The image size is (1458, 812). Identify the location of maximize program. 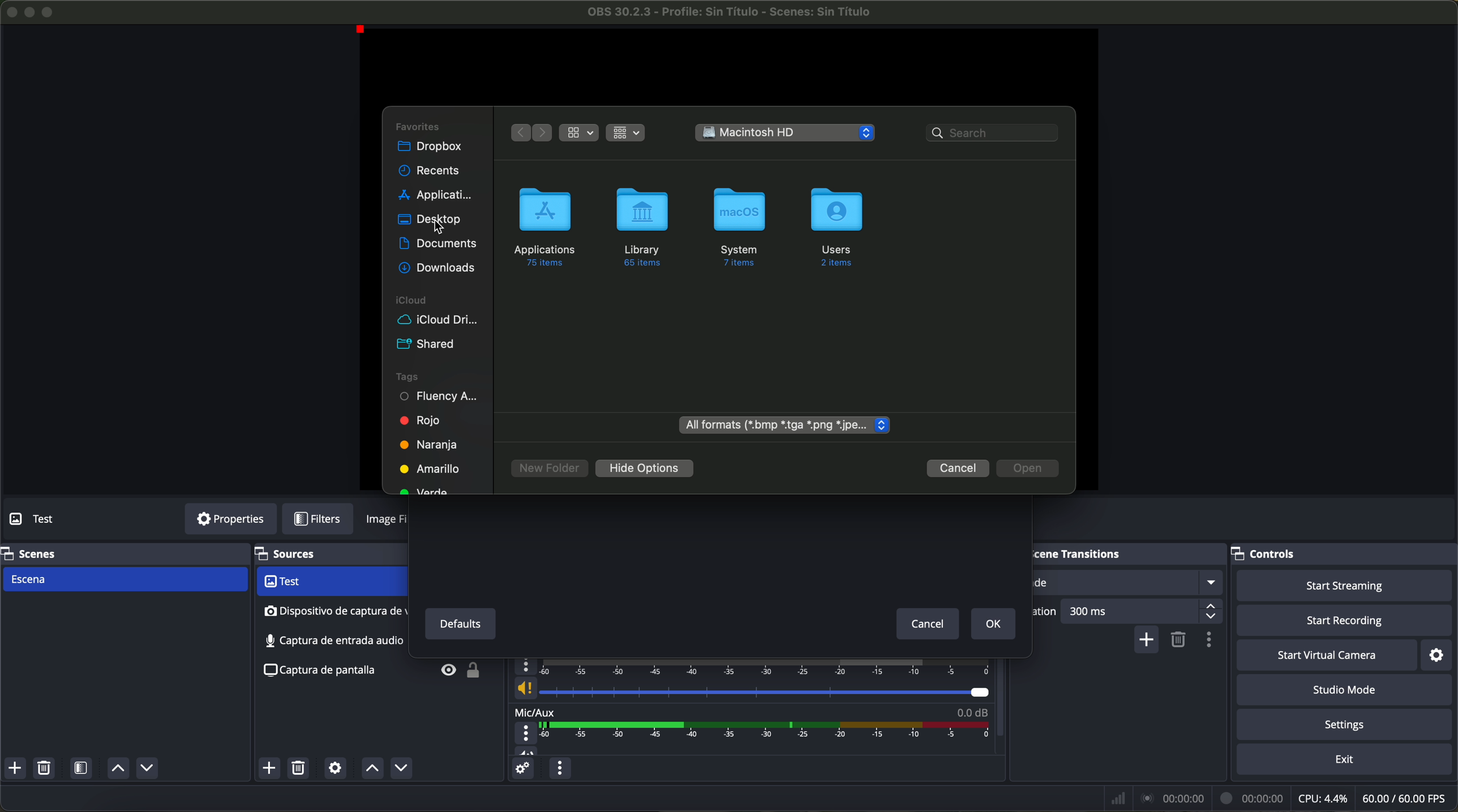
(50, 11).